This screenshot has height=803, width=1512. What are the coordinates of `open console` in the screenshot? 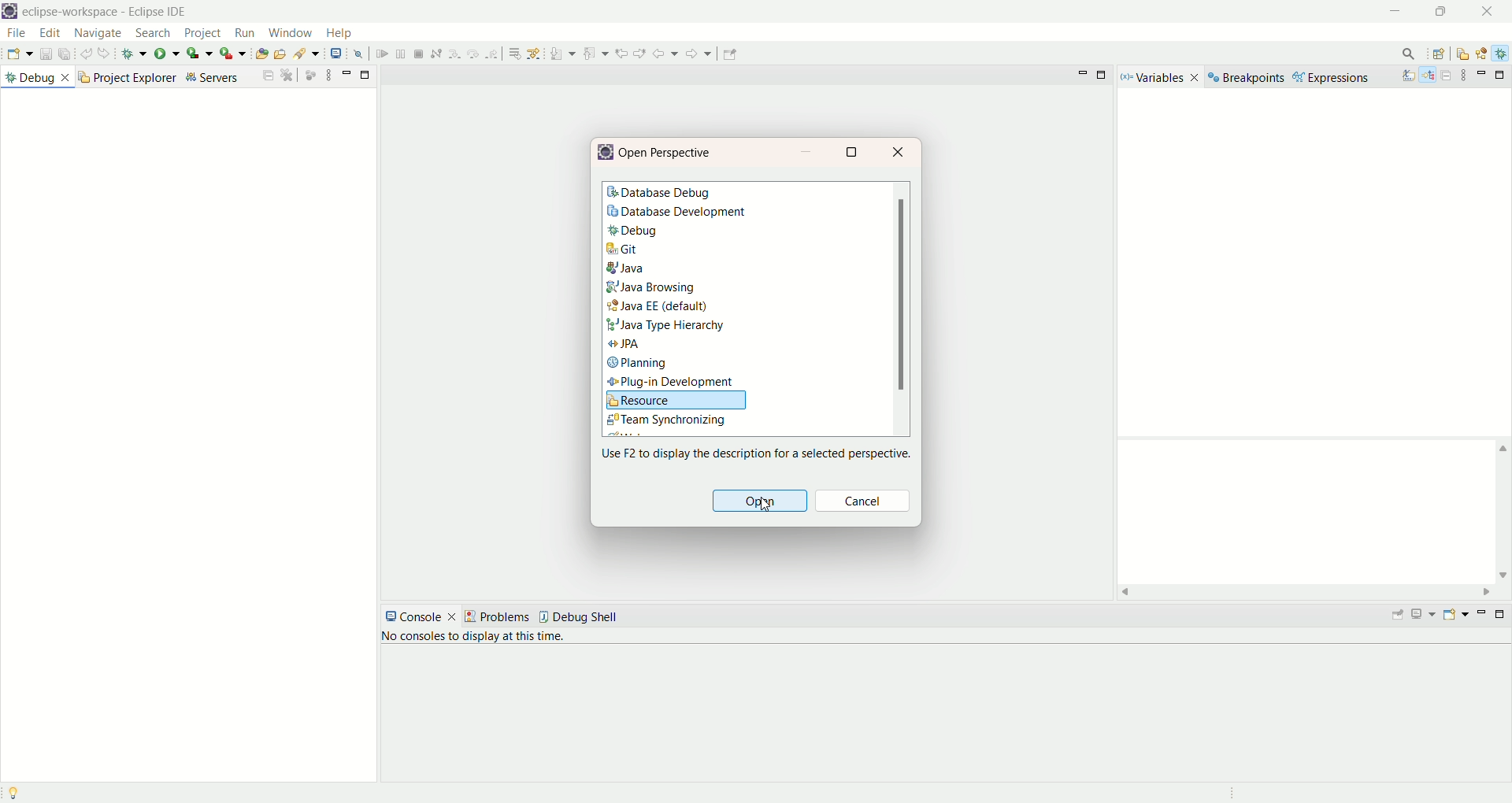 It's located at (1455, 614).